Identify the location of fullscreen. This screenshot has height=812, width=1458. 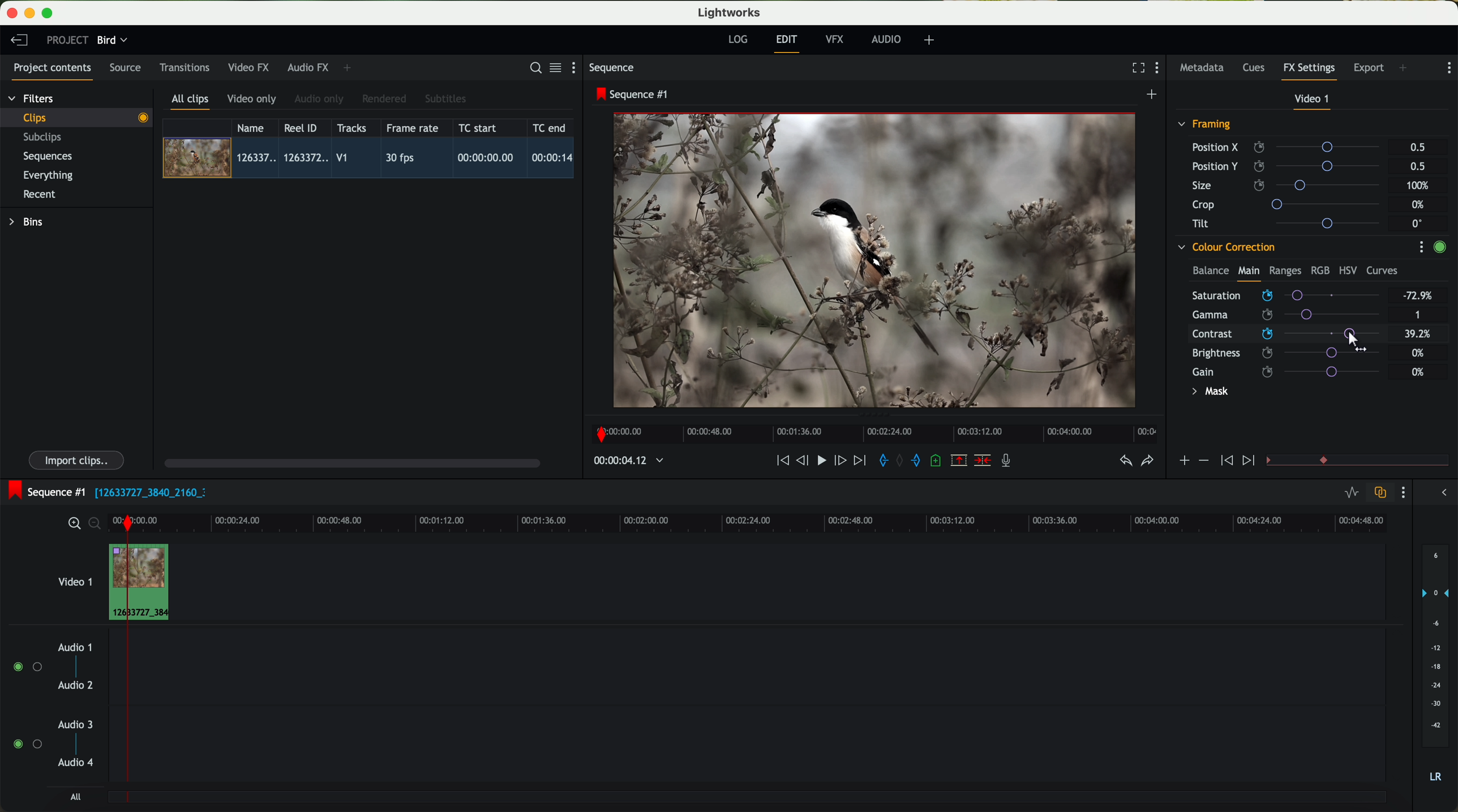
(1136, 67).